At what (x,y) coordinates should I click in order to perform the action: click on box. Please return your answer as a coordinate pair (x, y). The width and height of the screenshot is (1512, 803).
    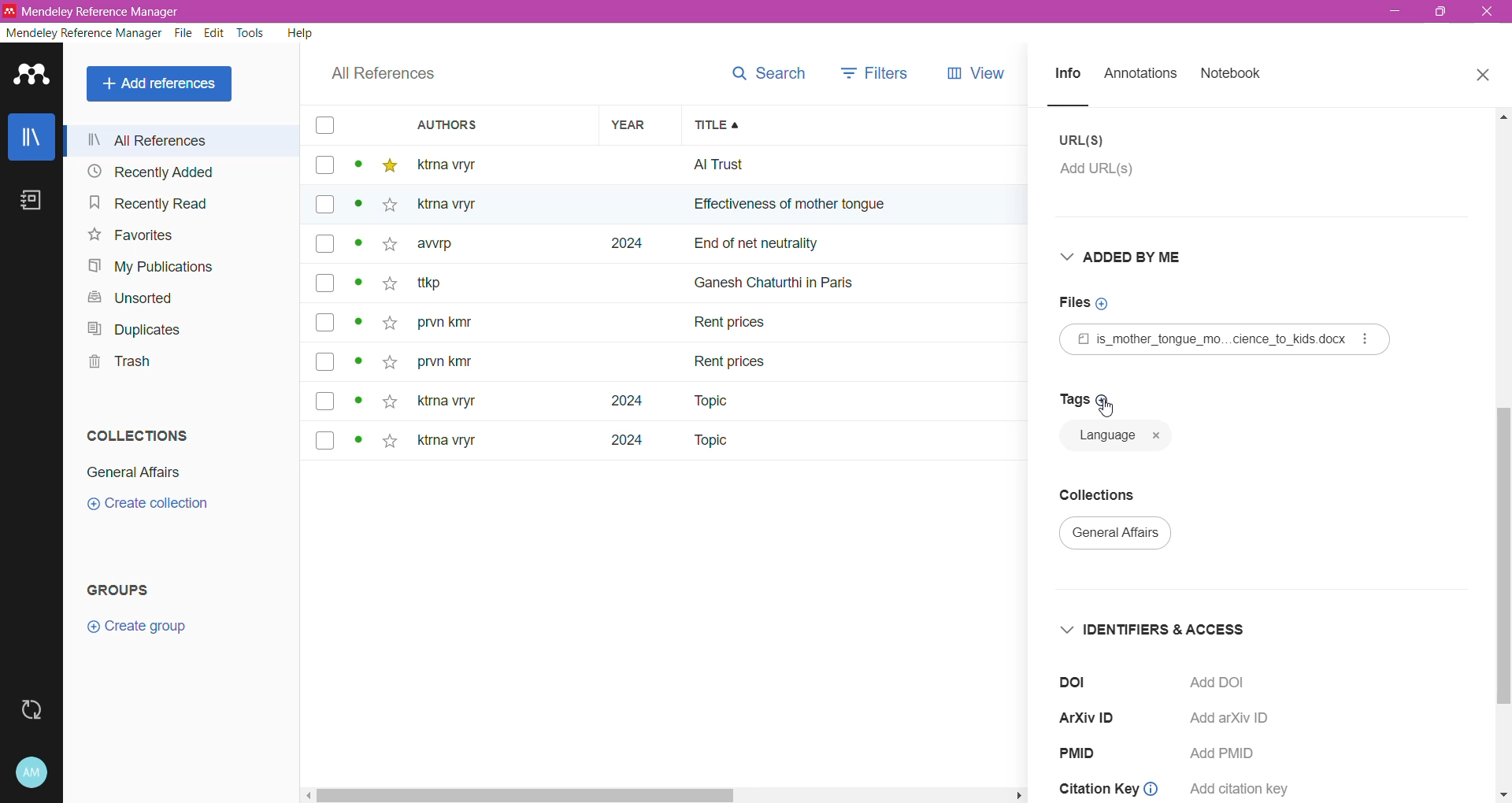
    Looking at the image, I should click on (323, 126).